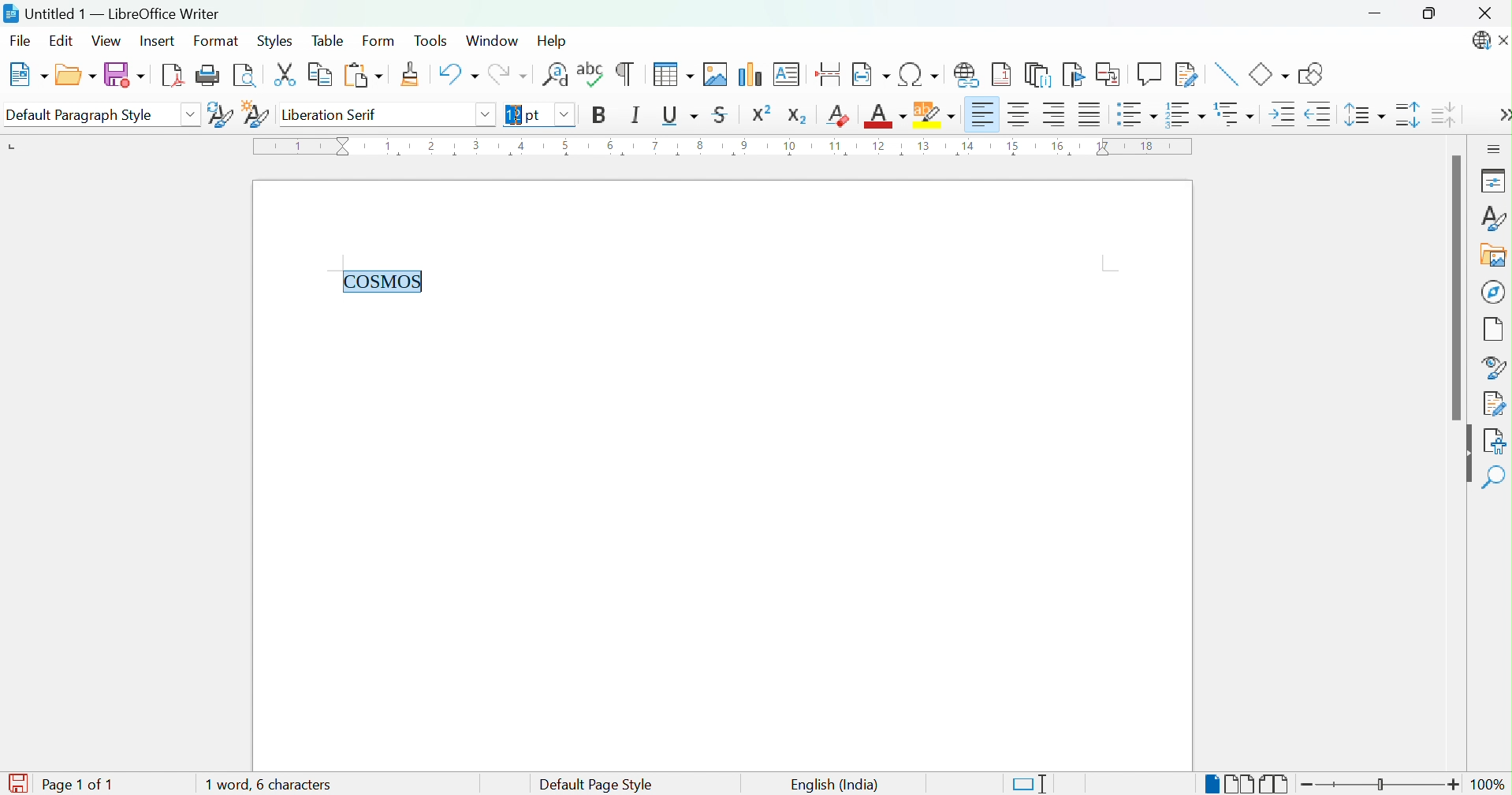 The height and width of the screenshot is (795, 1512). What do you see at coordinates (1454, 287) in the screenshot?
I see `Scroll Bar` at bounding box center [1454, 287].